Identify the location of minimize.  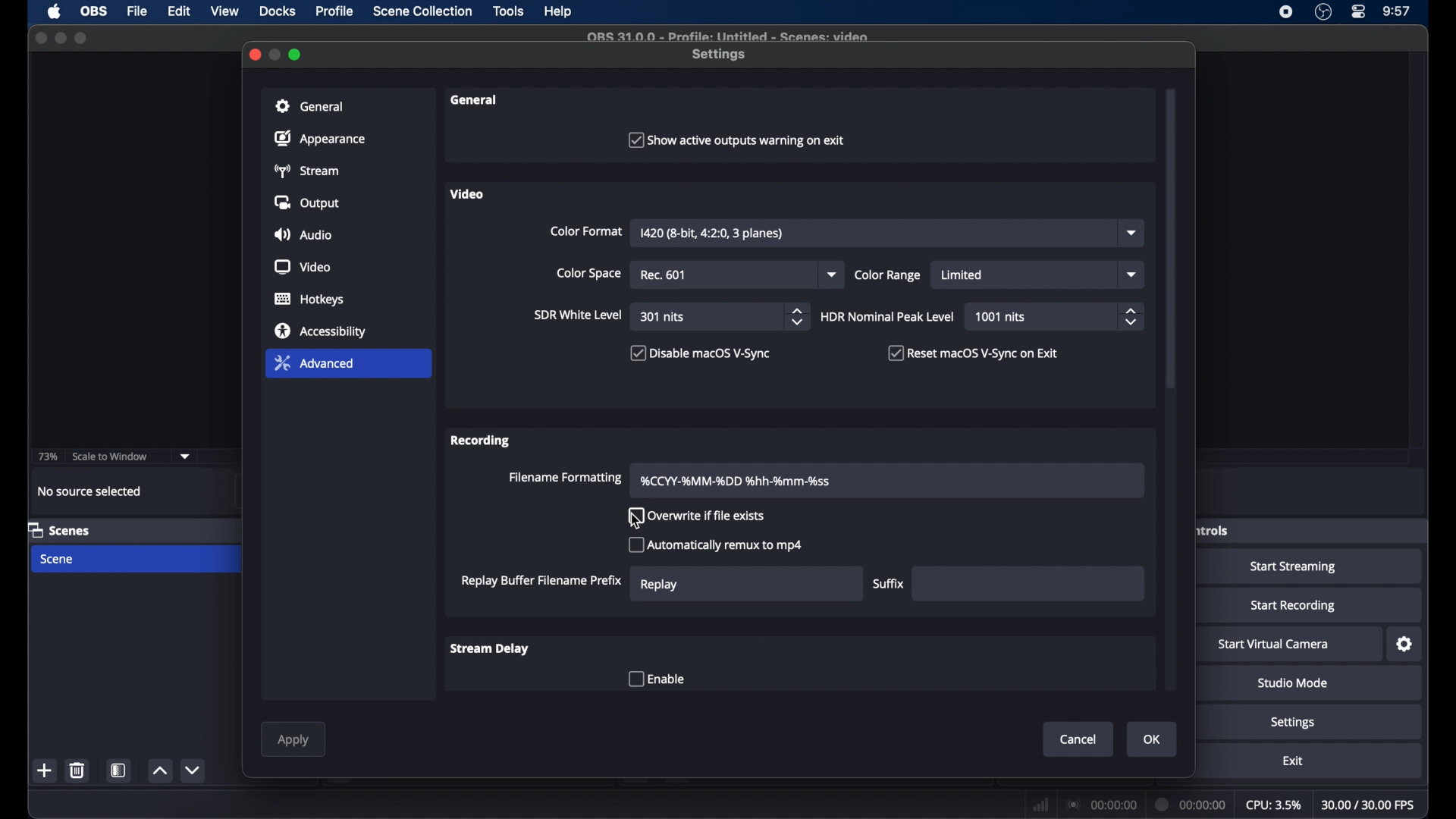
(276, 55).